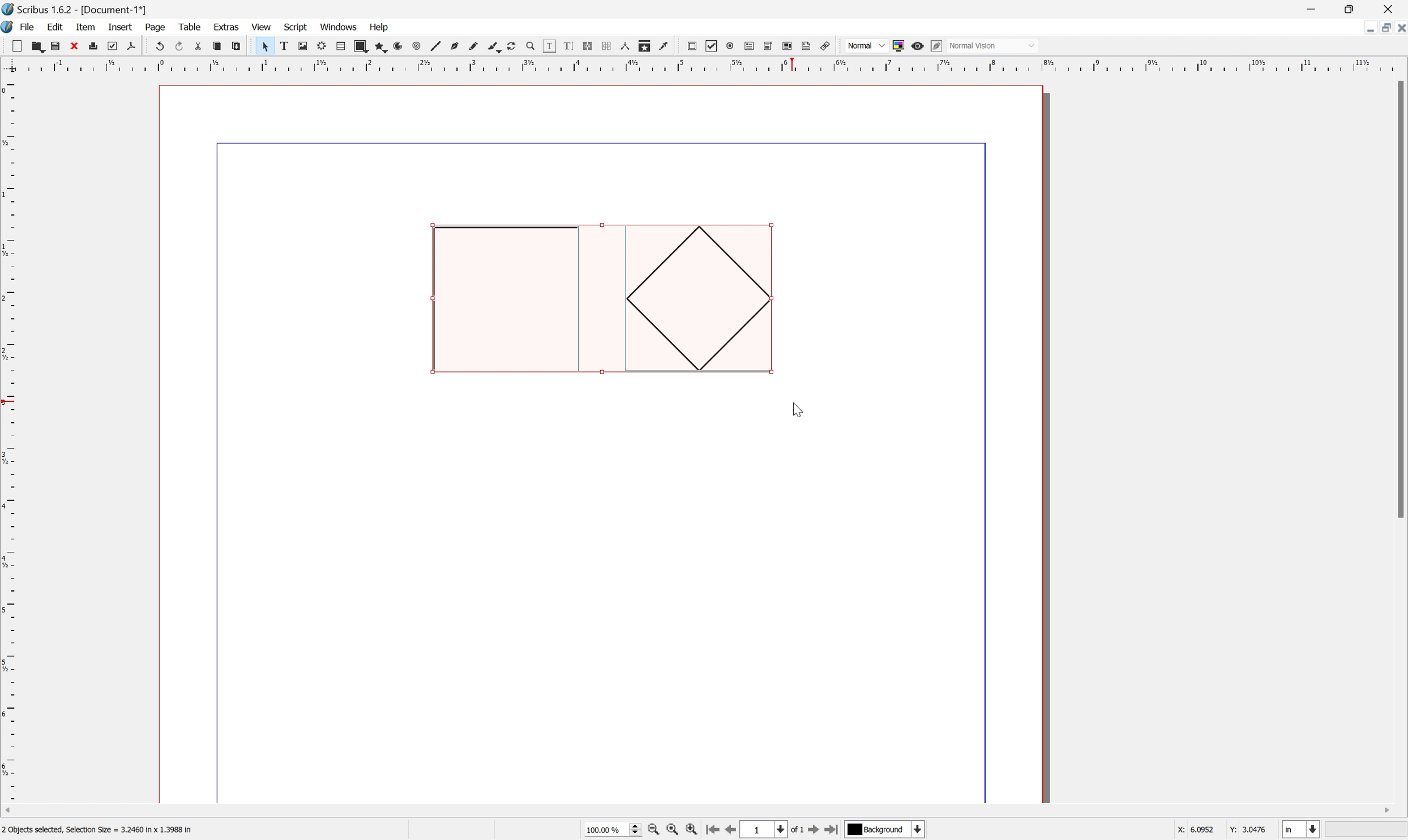  Describe the element at coordinates (121, 25) in the screenshot. I see `insert` at that location.